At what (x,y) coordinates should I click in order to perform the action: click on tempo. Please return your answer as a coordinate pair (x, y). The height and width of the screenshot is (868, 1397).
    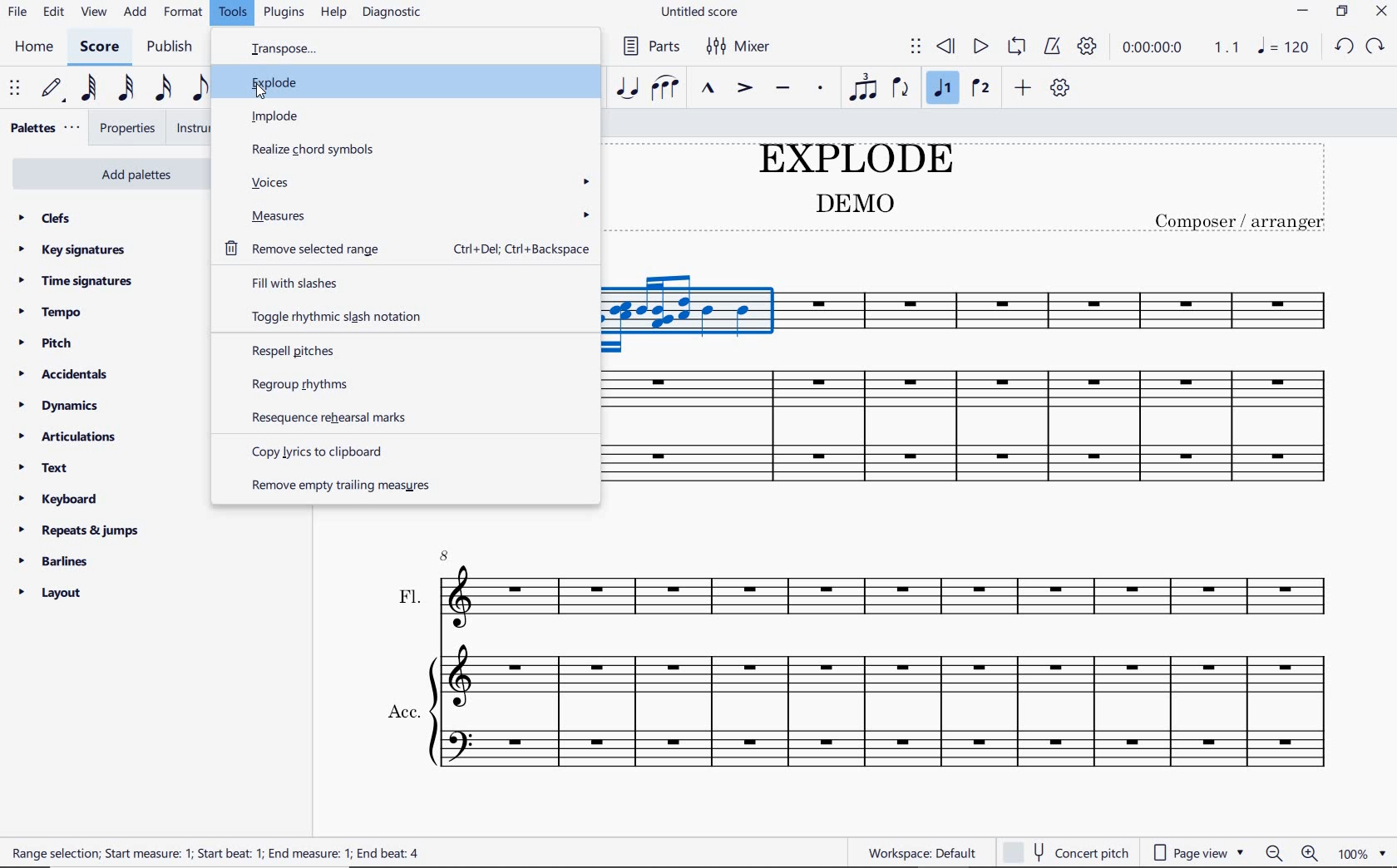
    Looking at the image, I should click on (53, 313).